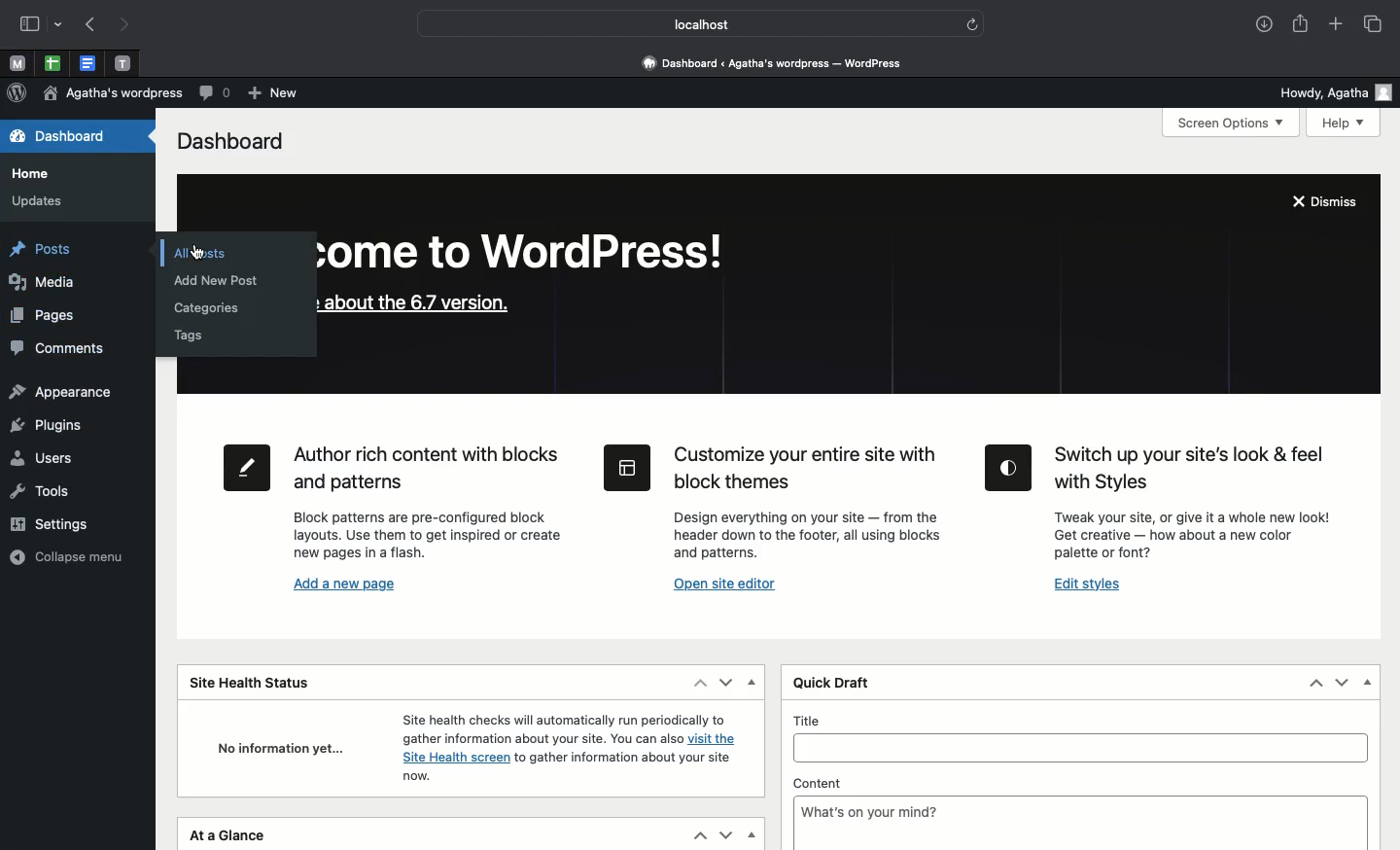 This screenshot has width=1400, height=850. I want to click on Plugins, so click(48, 425).